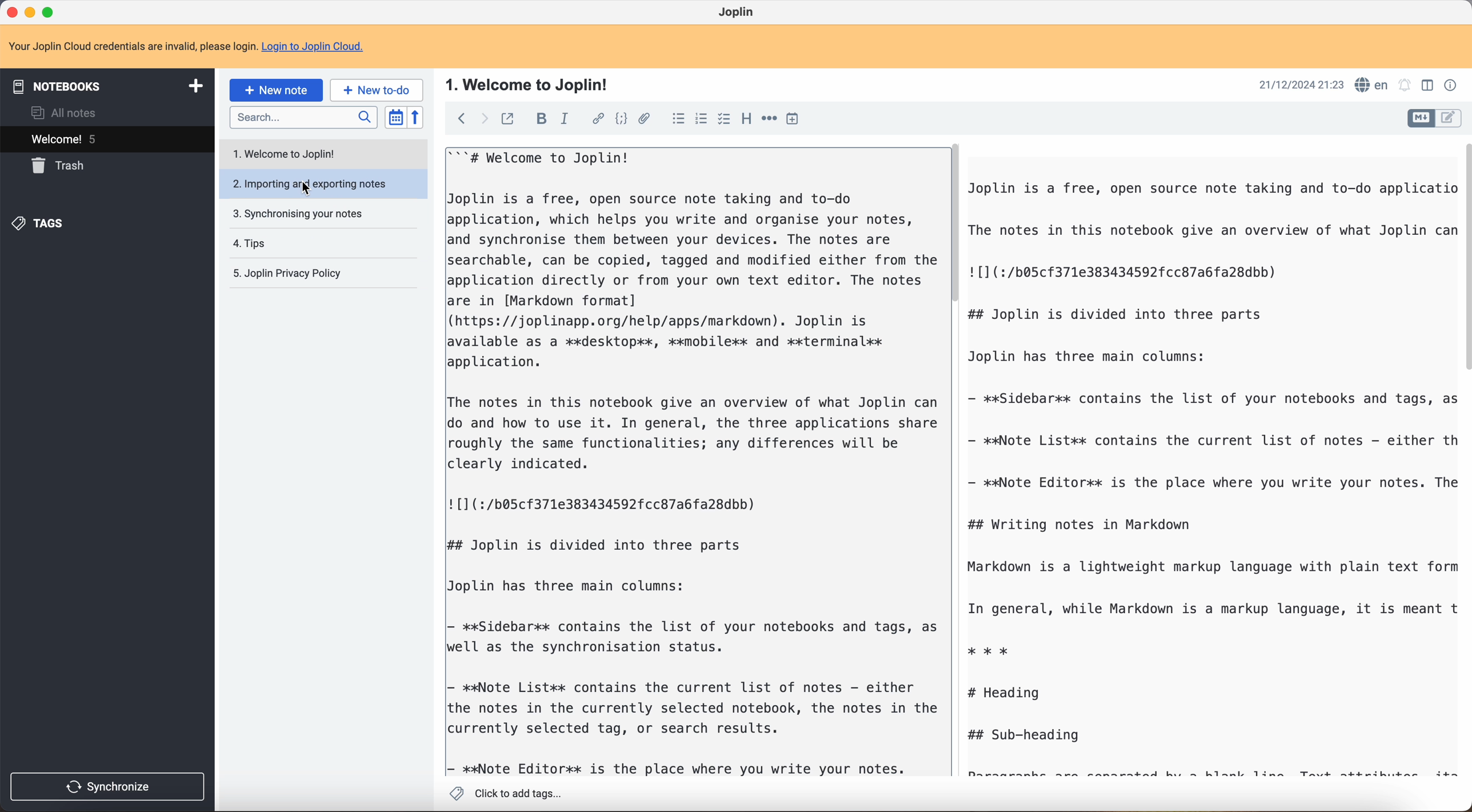 The image size is (1472, 812). I want to click on Your Joplin Cloud credentials are invalid, please login. Login to Joplin Cloud., so click(196, 47).